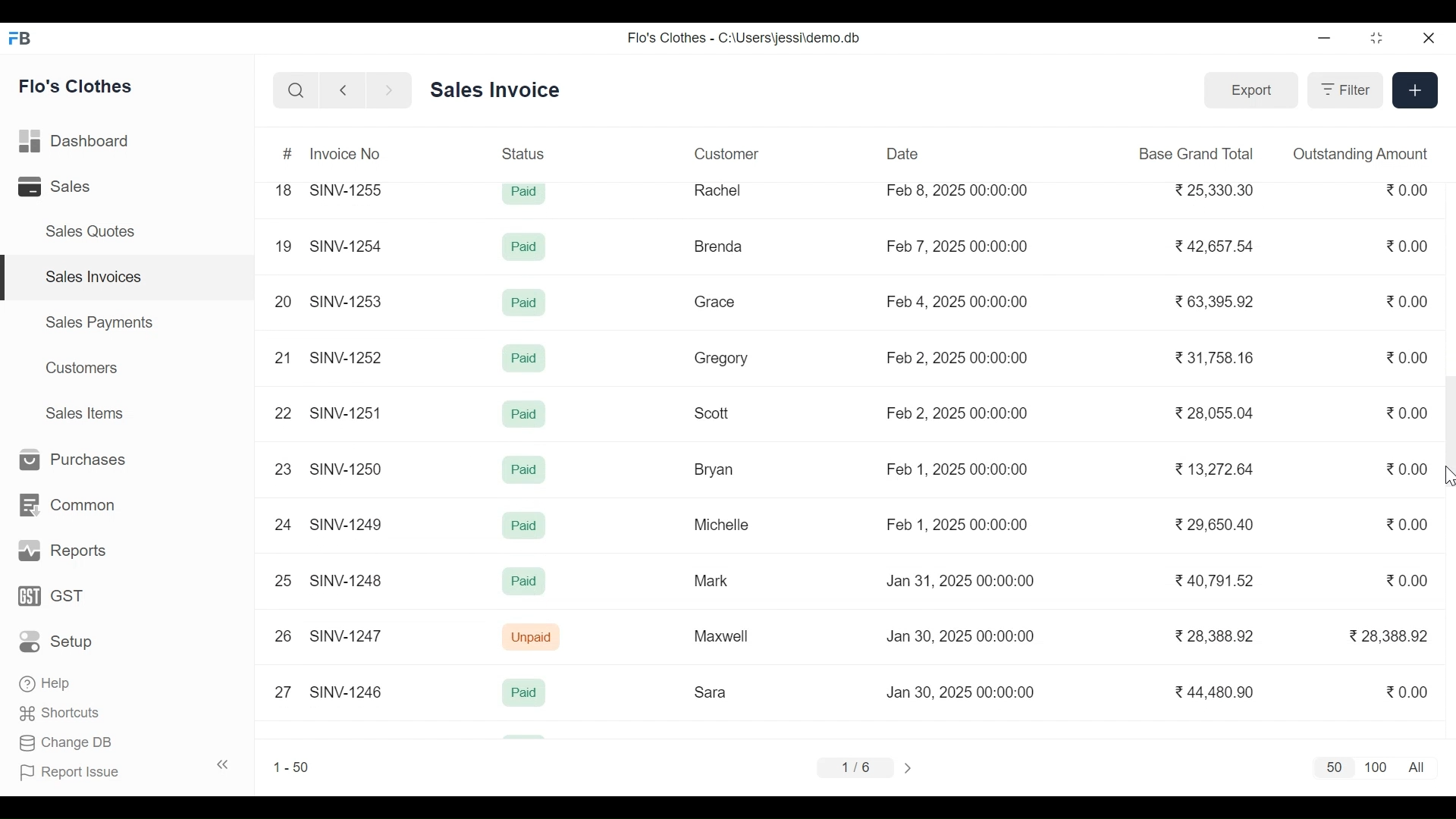 The image size is (1456, 819). What do you see at coordinates (1410, 580) in the screenshot?
I see `0.00` at bounding box center [1410, 580].